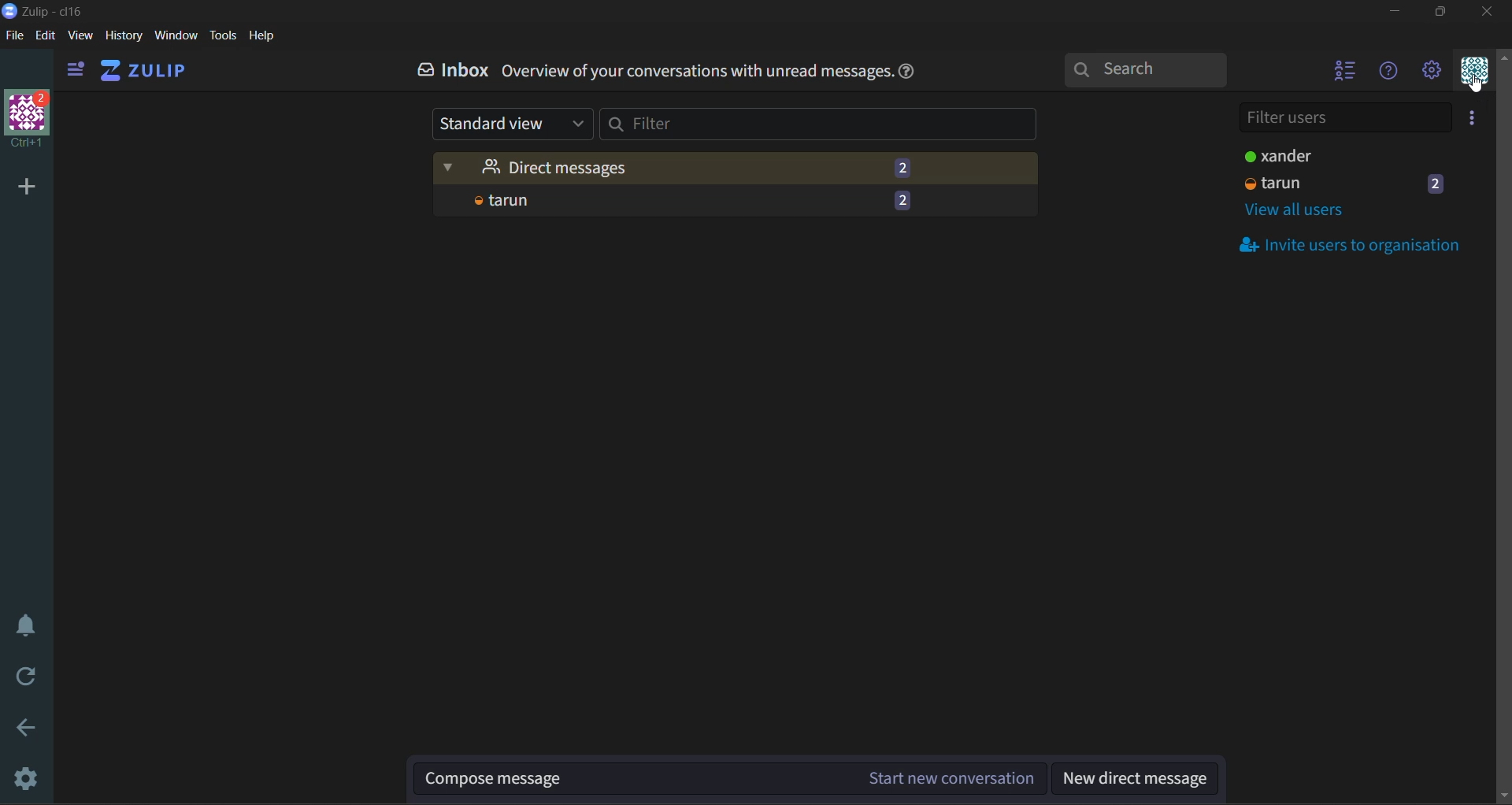  Describe the element at coordinates (1362, 244) in the screenshot. I see `invite users to organisation` at that location.